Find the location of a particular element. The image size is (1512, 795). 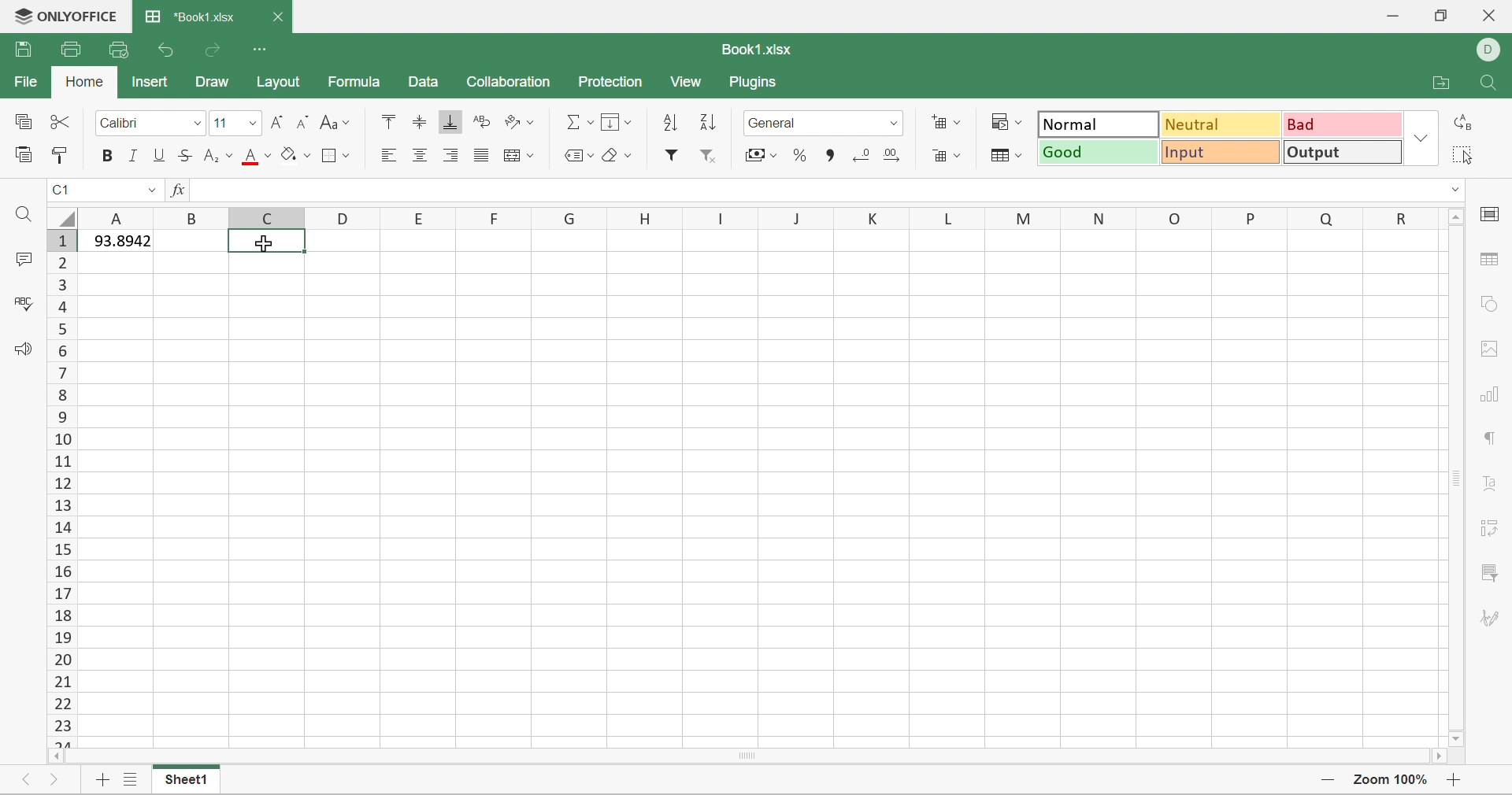

Increase decimal is located at coordinates (895, 152).